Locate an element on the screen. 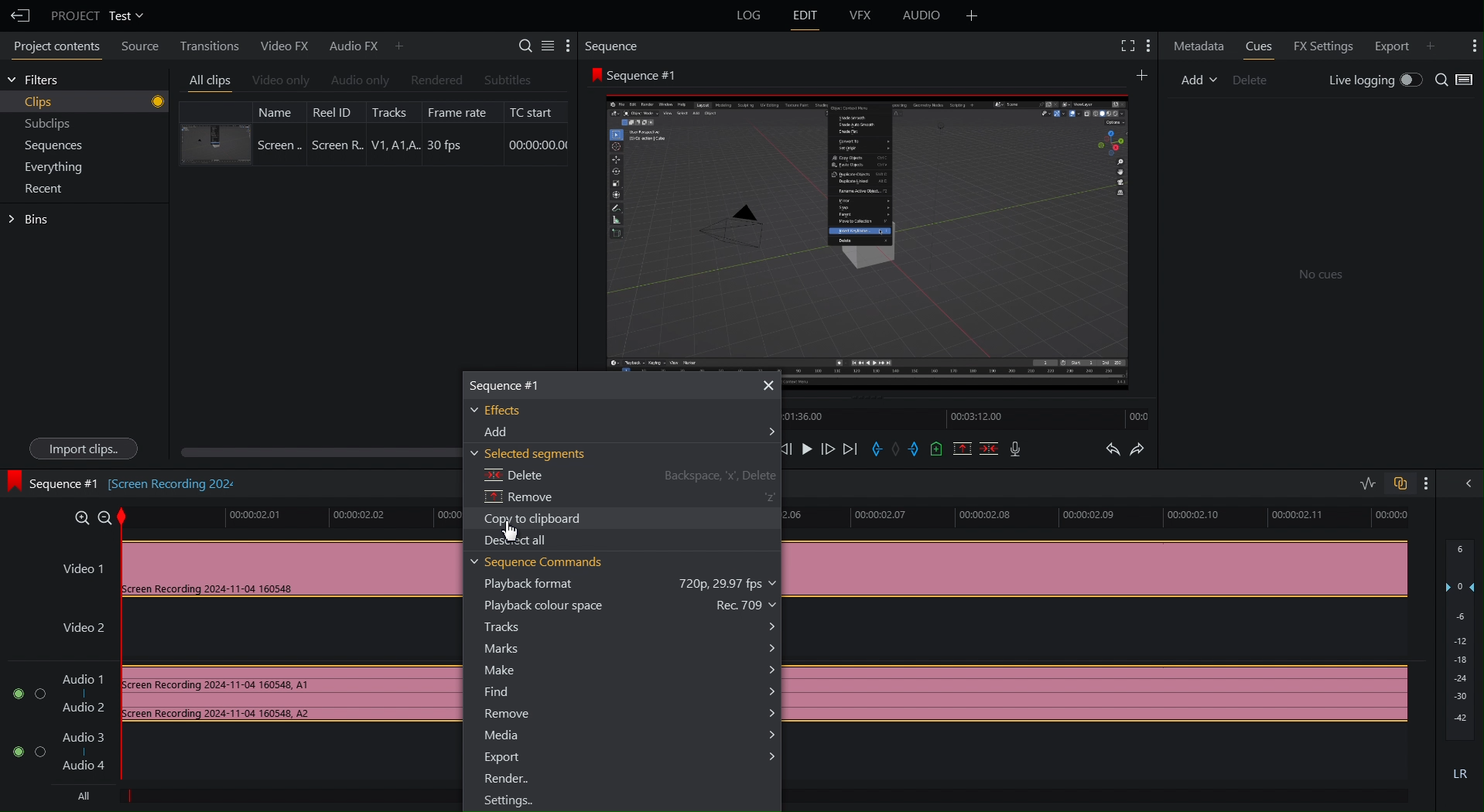 The height and width of the screenshot is (812, 1484). Copy to clipboard is located at coordinates (535, 518).